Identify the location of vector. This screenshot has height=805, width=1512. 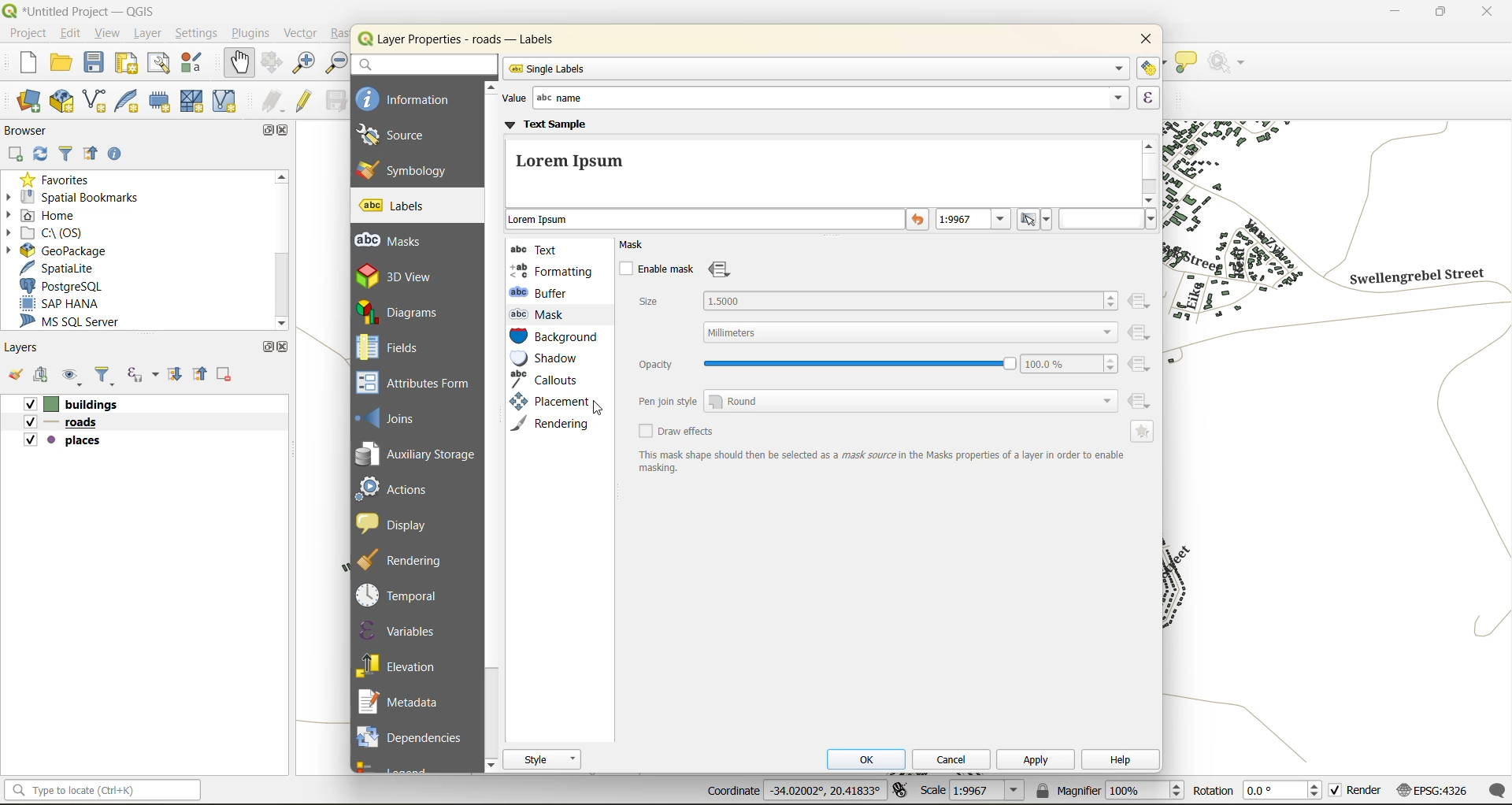
(305, 34).